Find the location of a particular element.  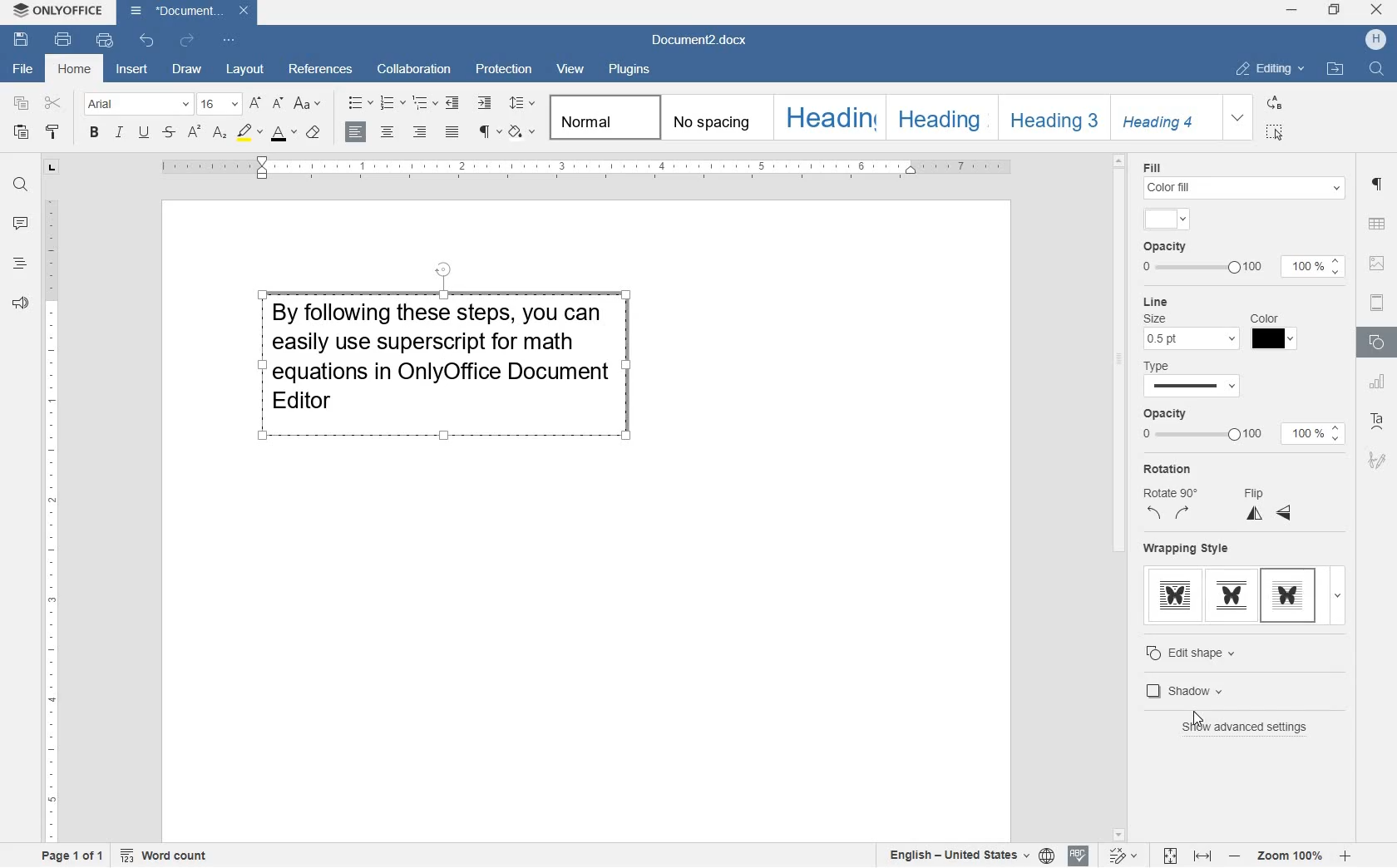

print is located at coordinates (64, 40).